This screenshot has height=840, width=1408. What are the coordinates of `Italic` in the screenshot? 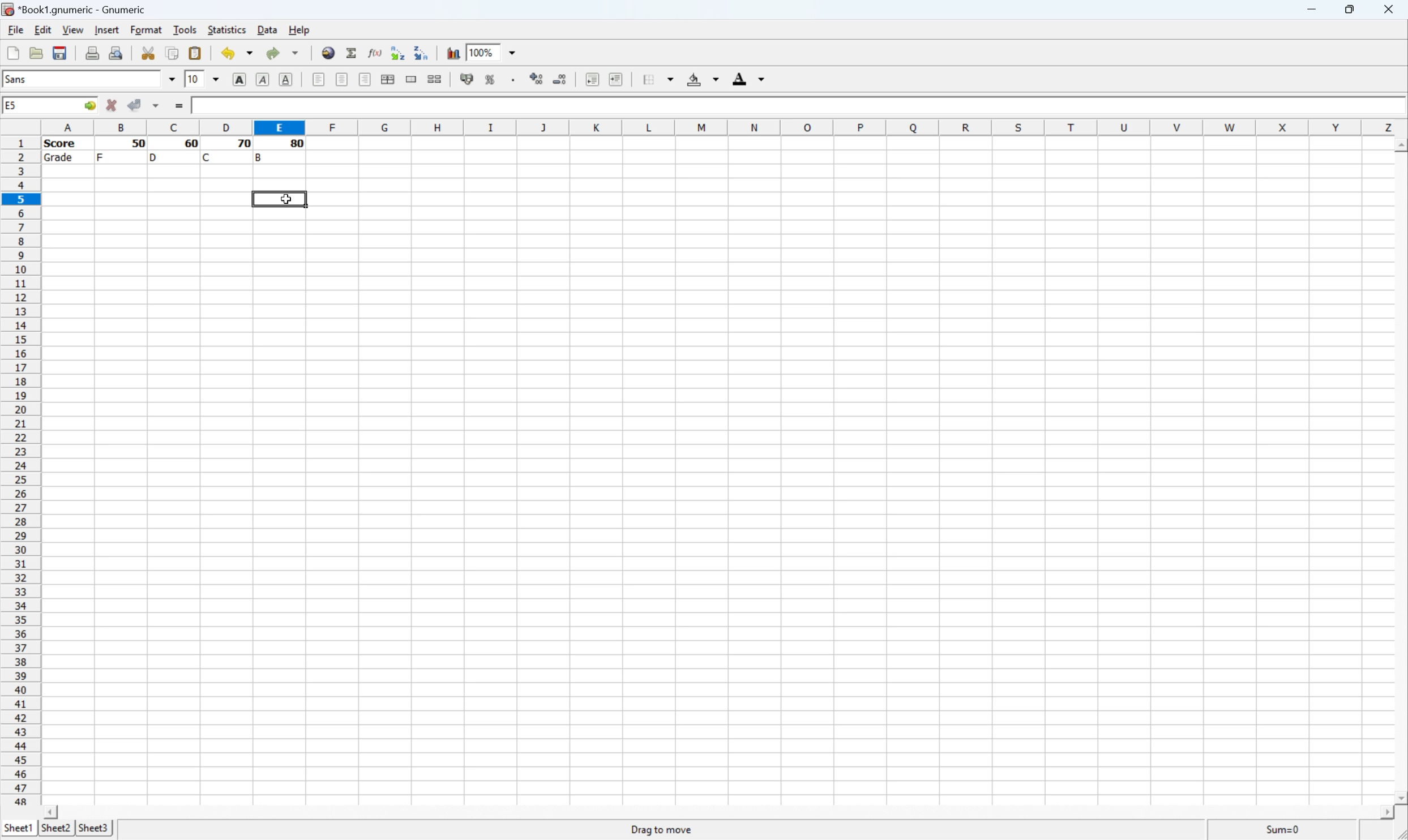 It's located at (260, 80).